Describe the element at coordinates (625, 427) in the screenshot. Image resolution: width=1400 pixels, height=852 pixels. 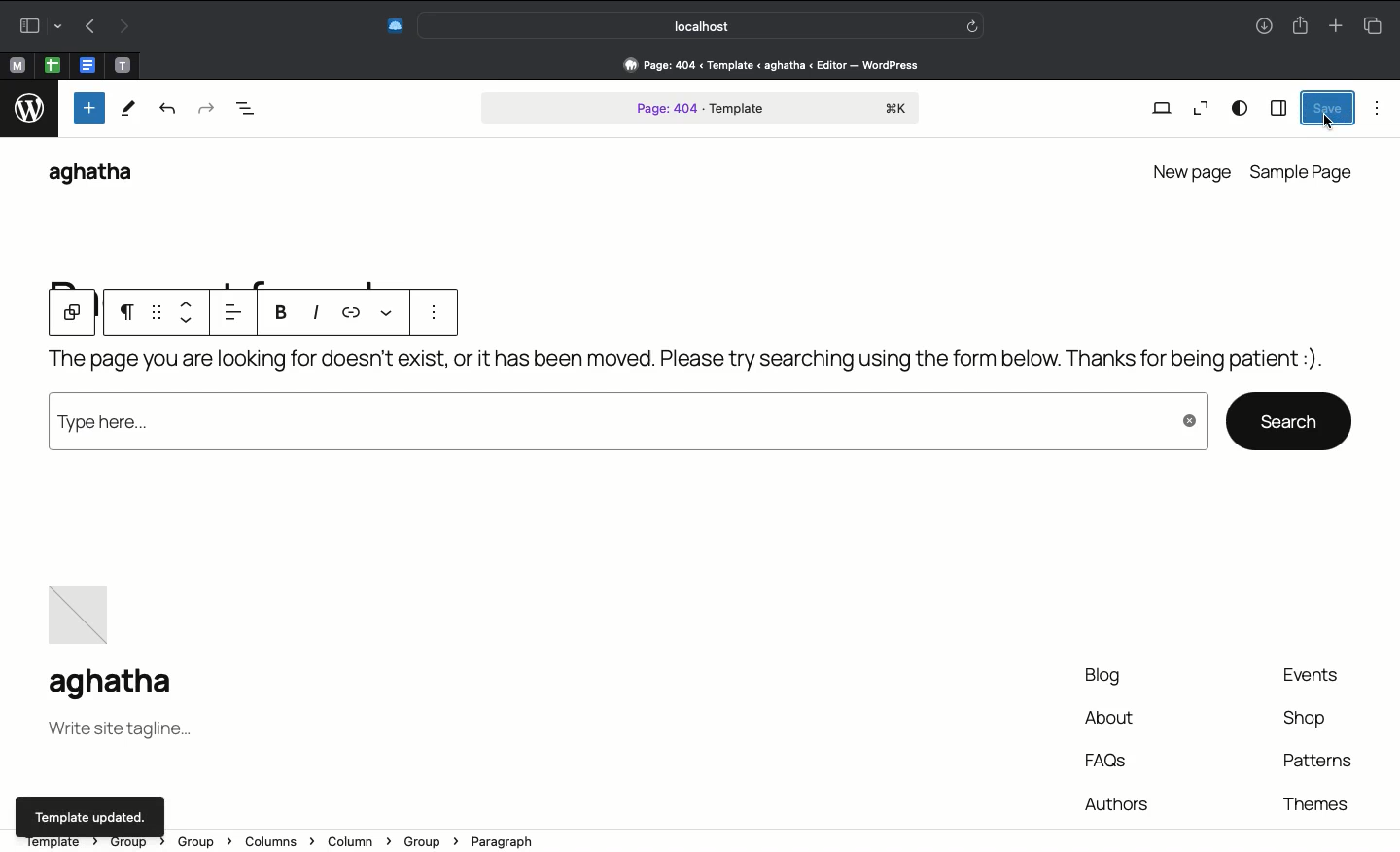
I see `Type here` at that location.